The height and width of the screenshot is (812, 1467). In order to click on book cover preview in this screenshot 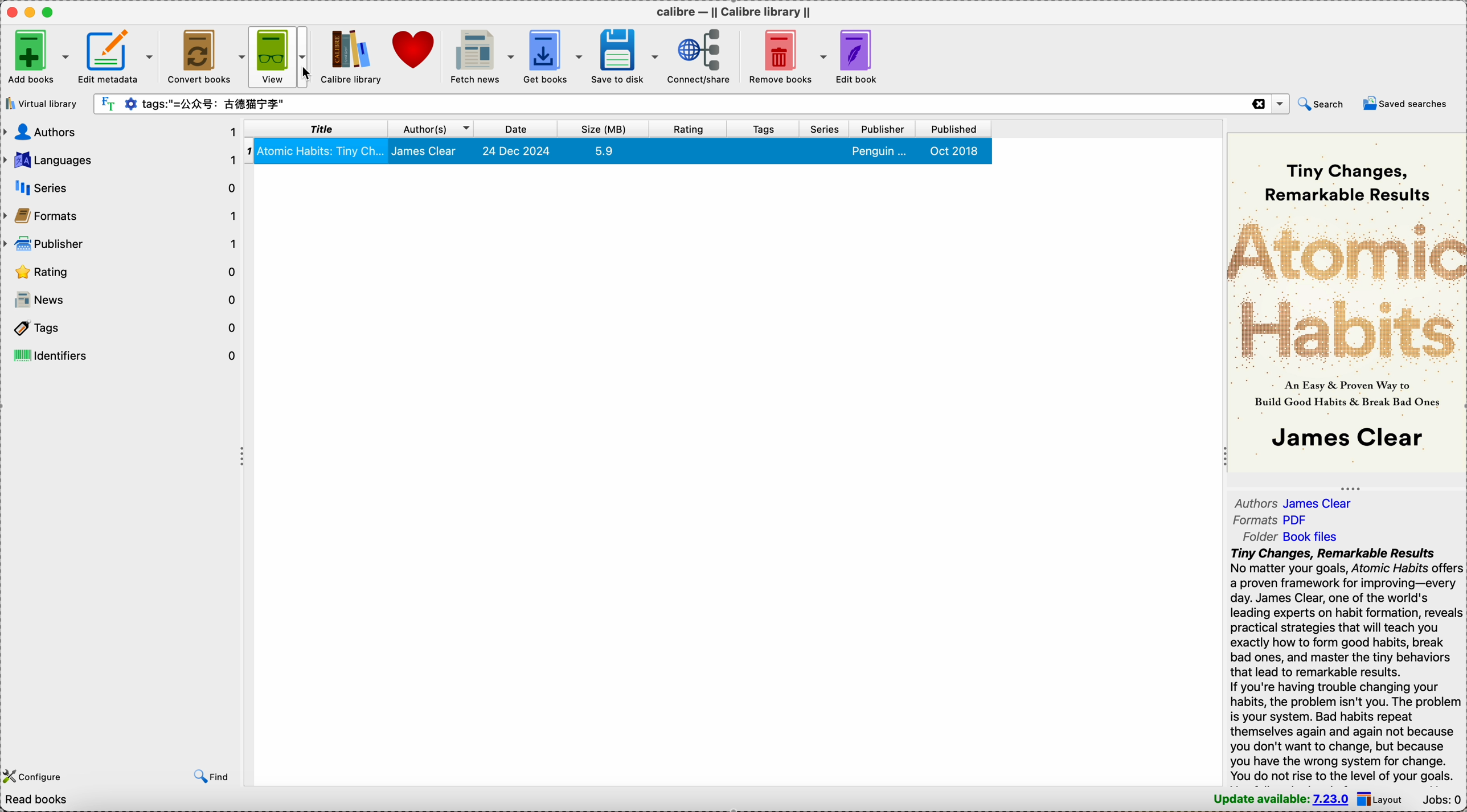, I will do `click(1346, 304)`.